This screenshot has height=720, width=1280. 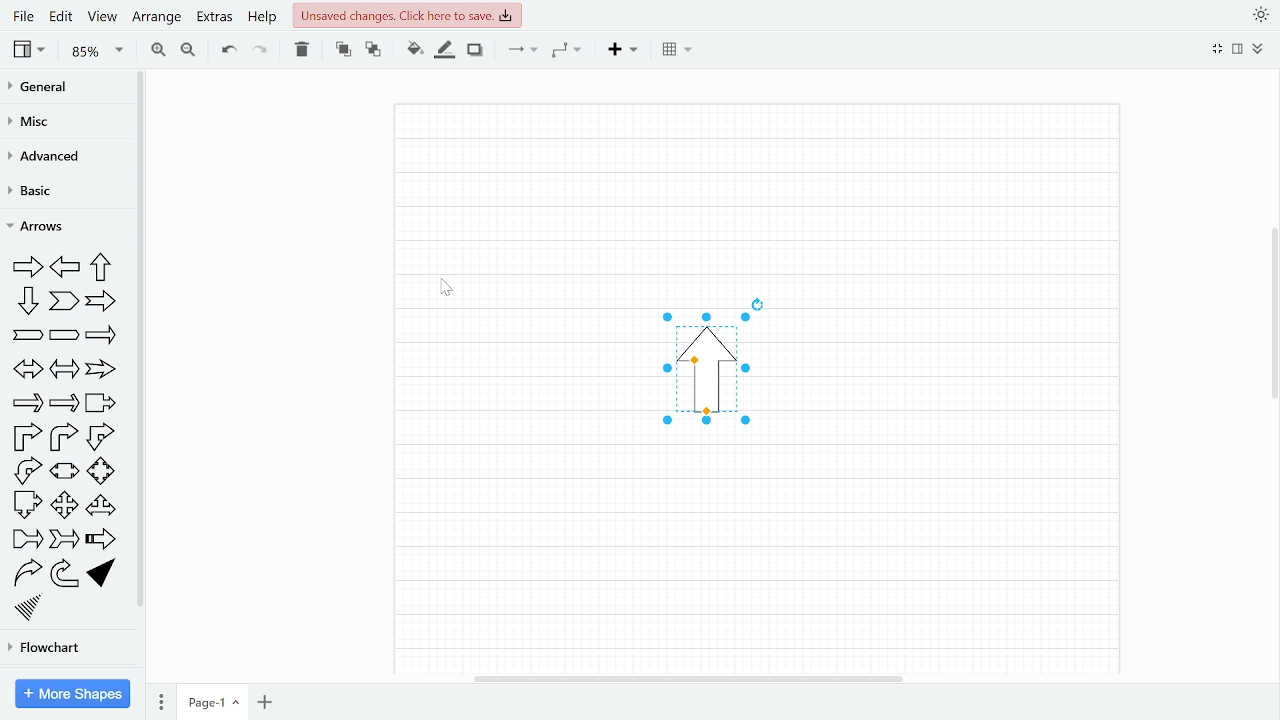 I want to click on Pages, so click(x=161, y=700).